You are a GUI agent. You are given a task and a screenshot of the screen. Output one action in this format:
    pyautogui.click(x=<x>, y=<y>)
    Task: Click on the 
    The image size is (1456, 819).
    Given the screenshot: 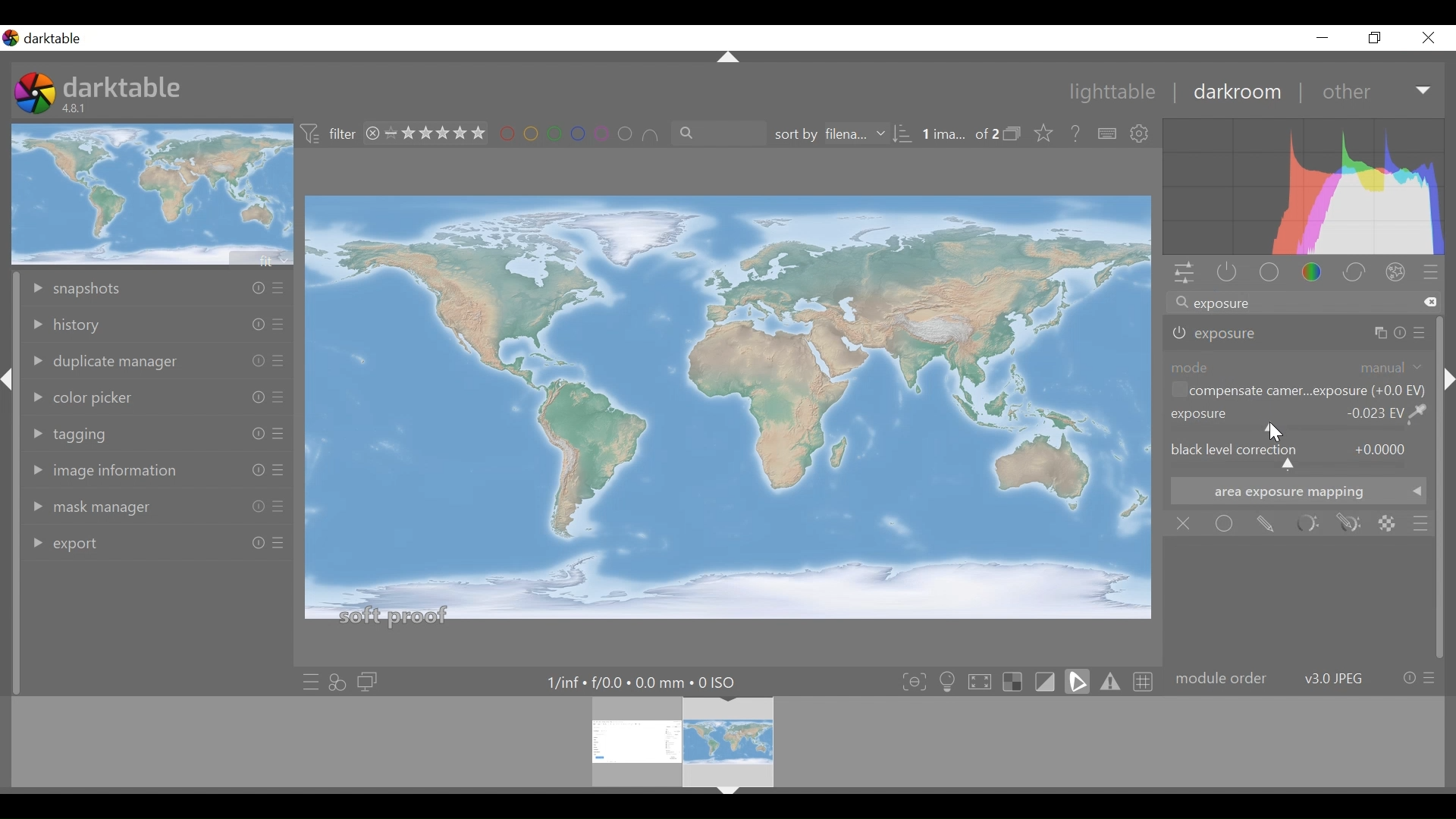 What is the action you would take?
    pyautogui.click(x=254, y=360)
    